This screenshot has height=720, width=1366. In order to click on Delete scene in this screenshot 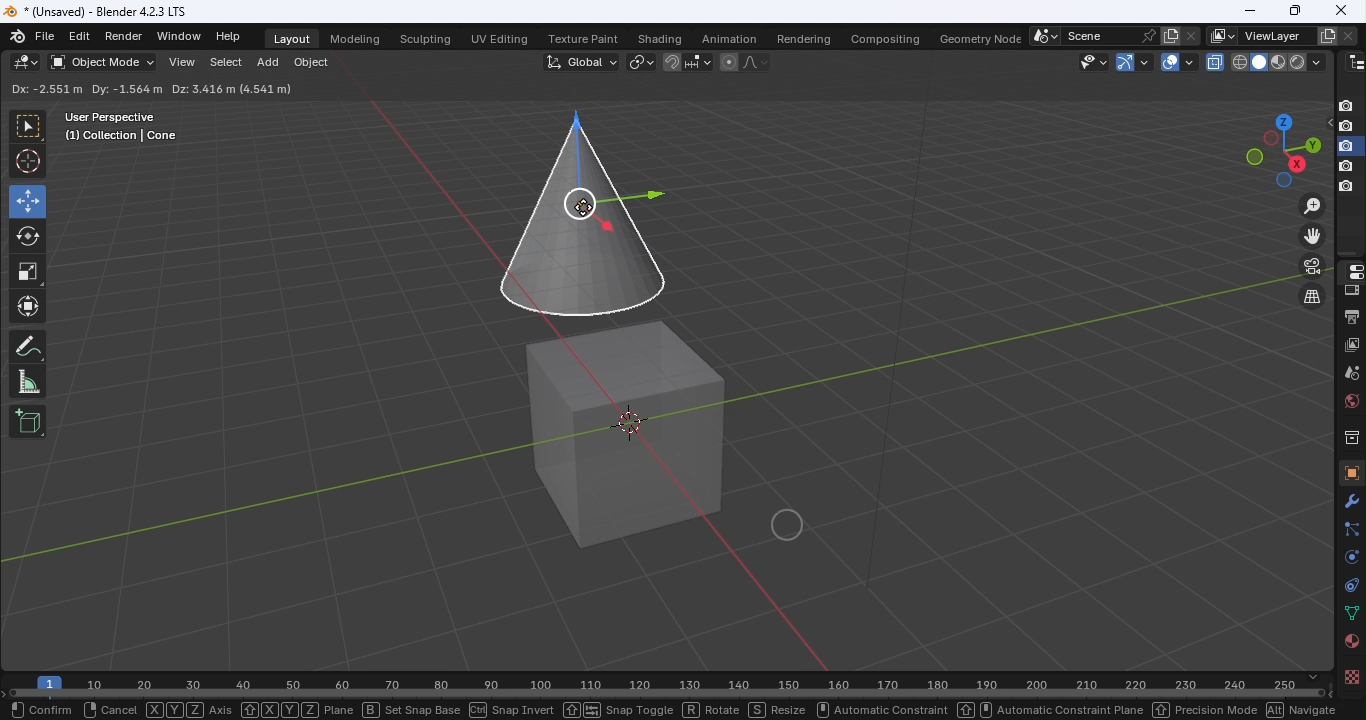, I will do `click(1190, 35)`.